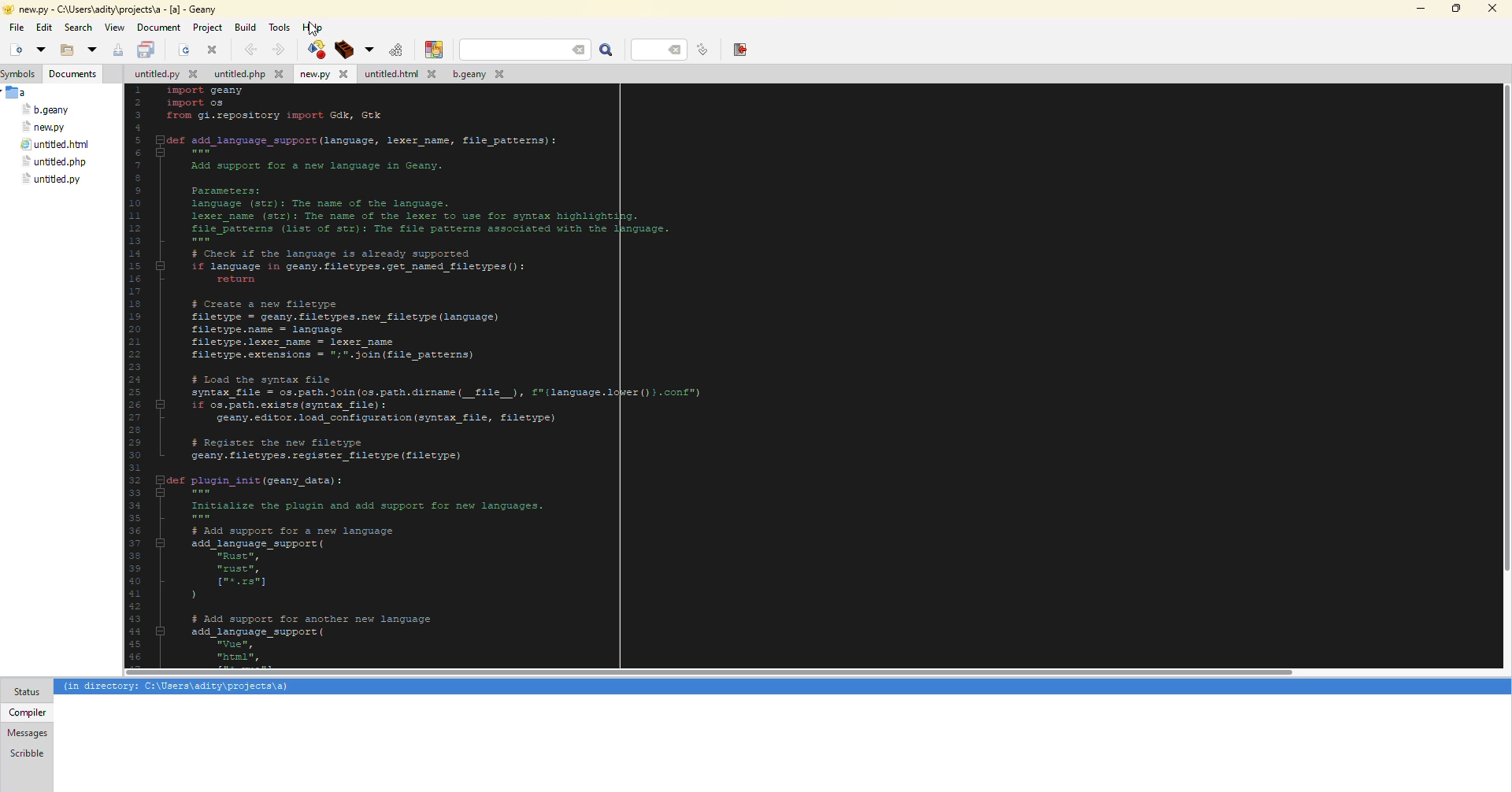 This screenshot has height=792, width=1512. Describe the element at coordinates (342, 50) in the screenshot. I see `build` at that location.